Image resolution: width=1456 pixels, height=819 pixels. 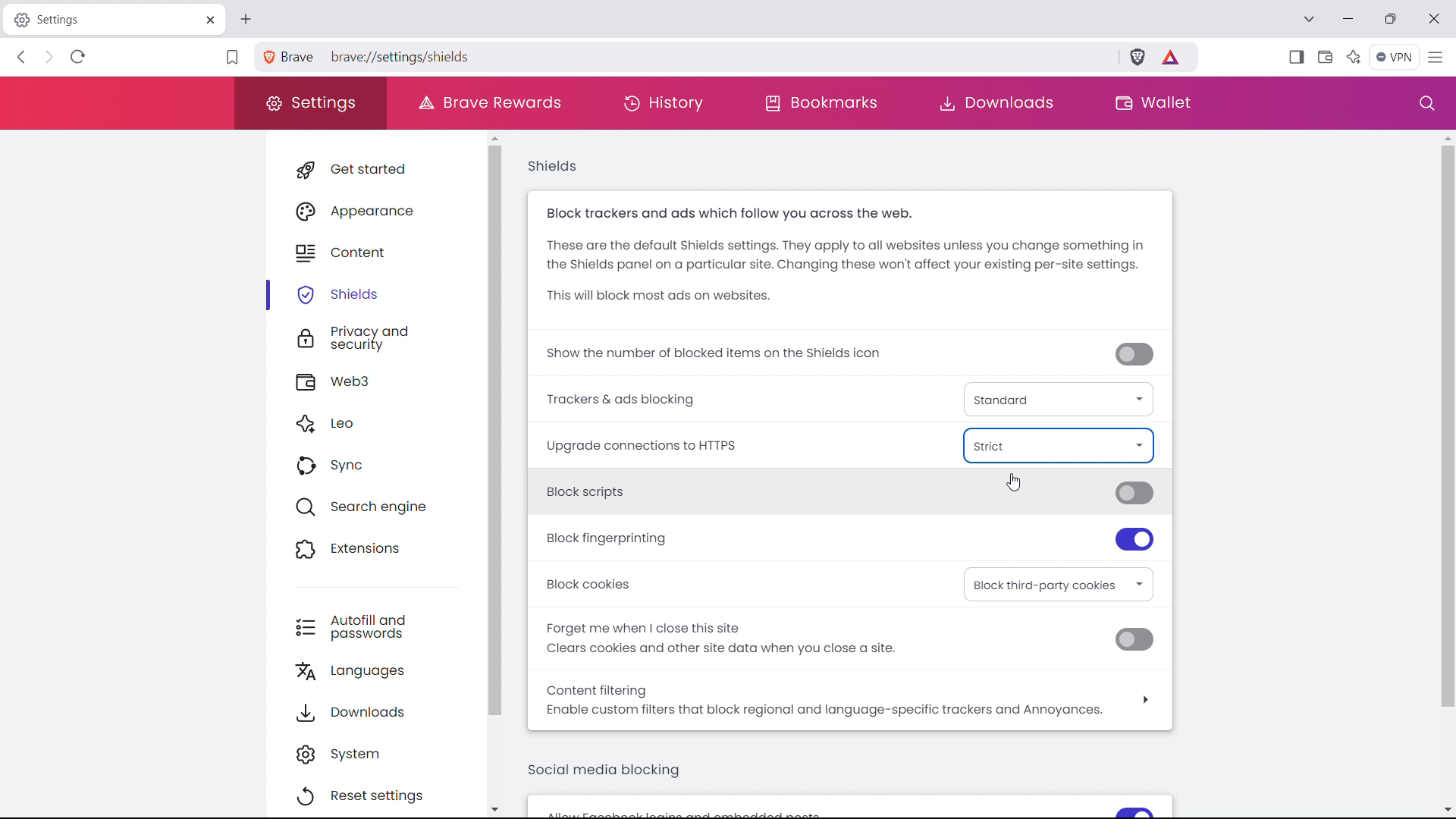 What do you see at coordinates (1348, 20) in the screenshot?
I see `minimize` at bounding box center [1348, 20].